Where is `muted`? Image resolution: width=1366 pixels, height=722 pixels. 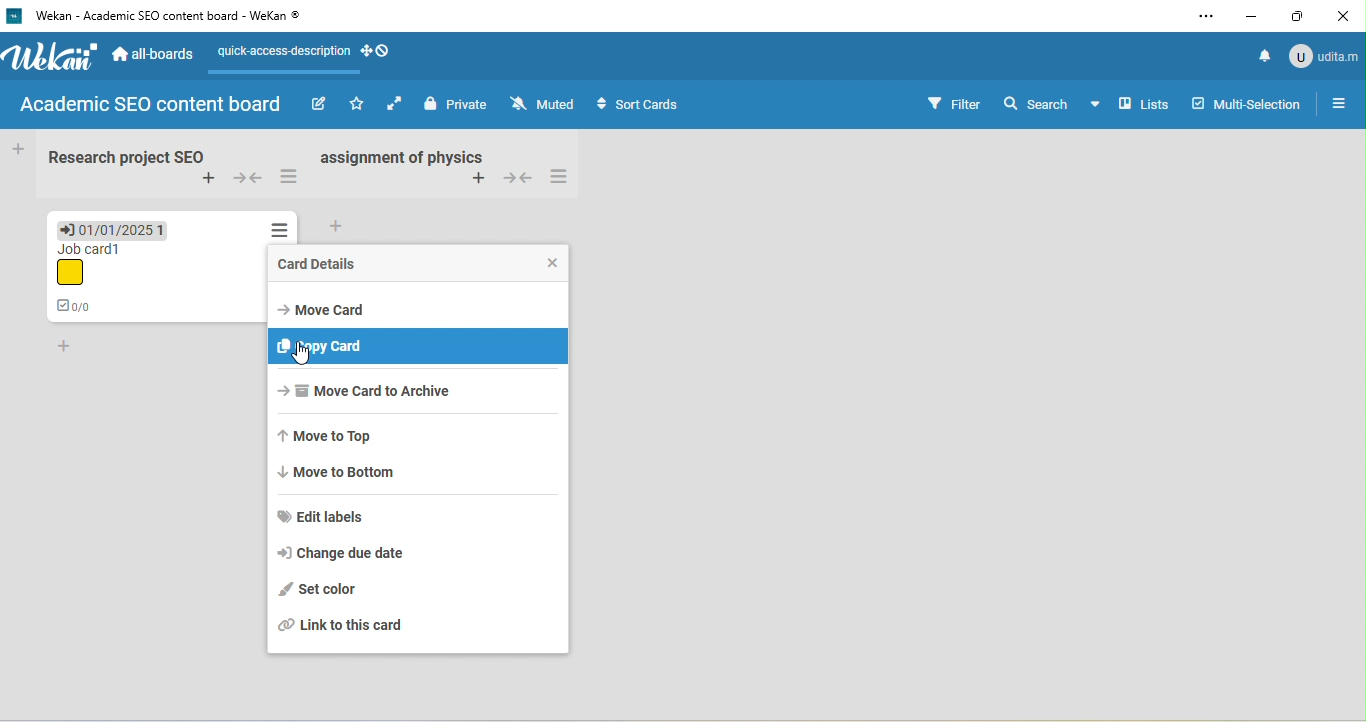 muted is located at coordinates (546, 104).